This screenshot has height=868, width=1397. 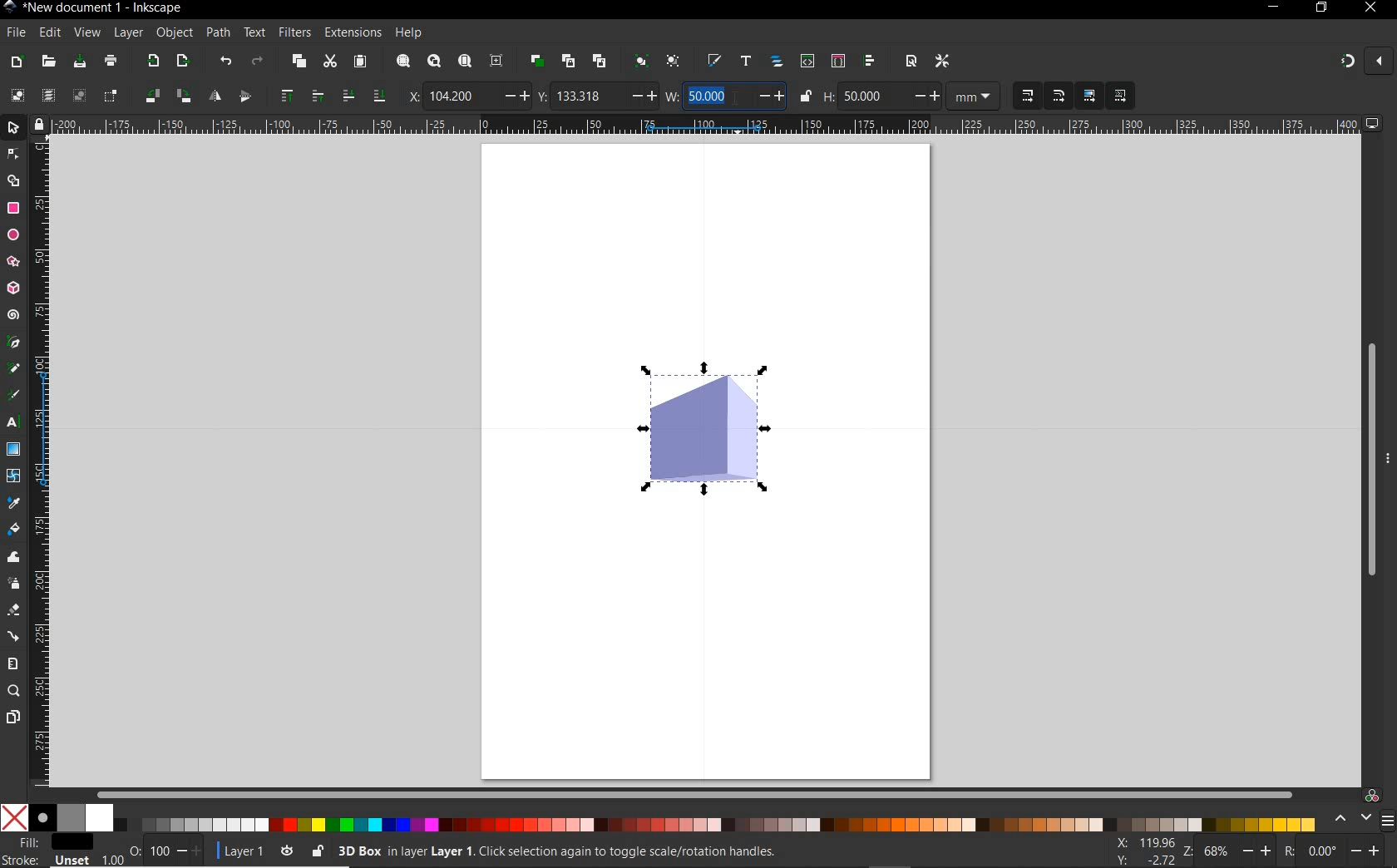 I want to click on raise selection, so click(x=315, y=96).